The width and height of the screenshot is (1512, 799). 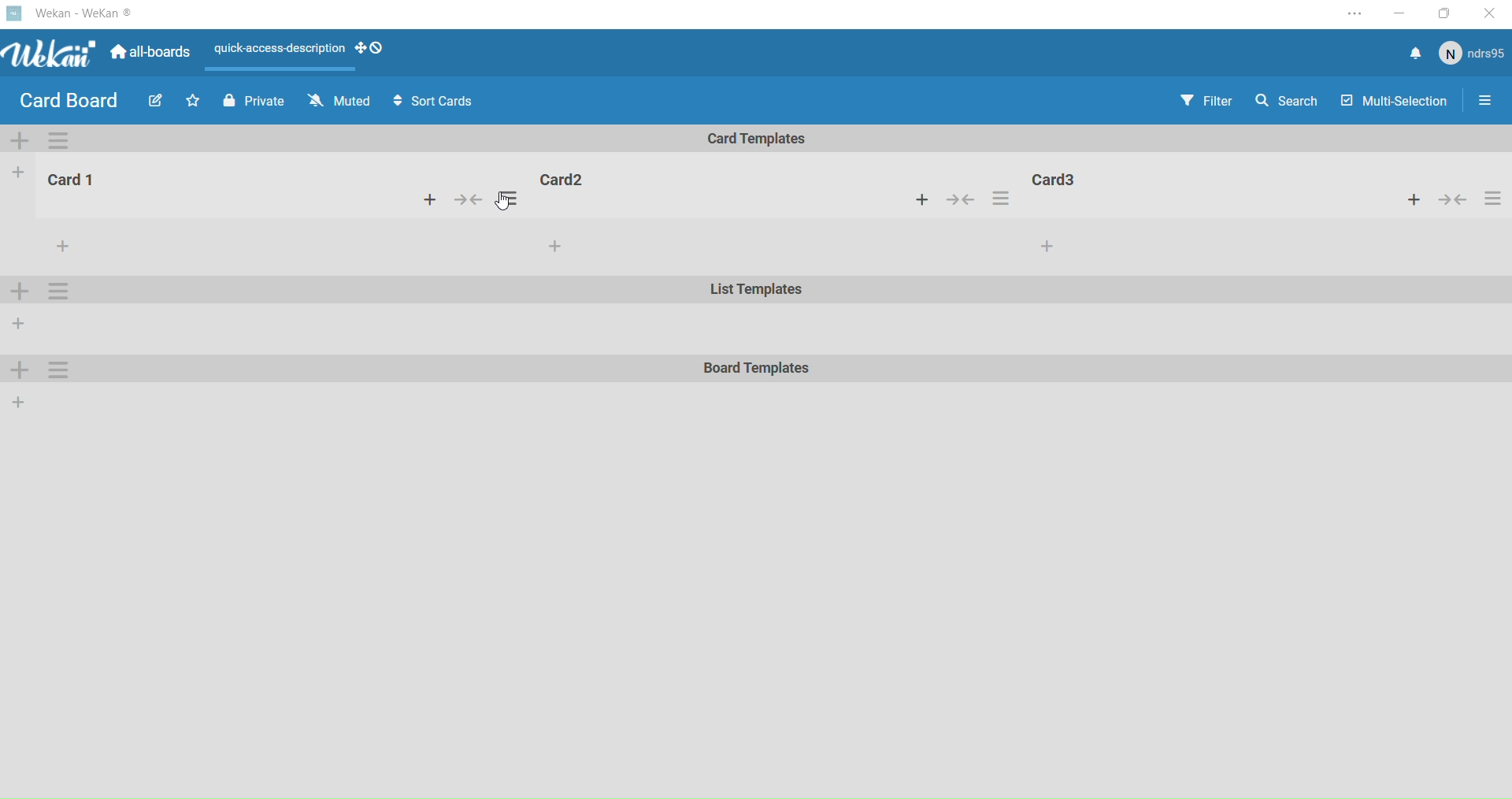 I want to click on Card Board, so click(x=68, y=102).